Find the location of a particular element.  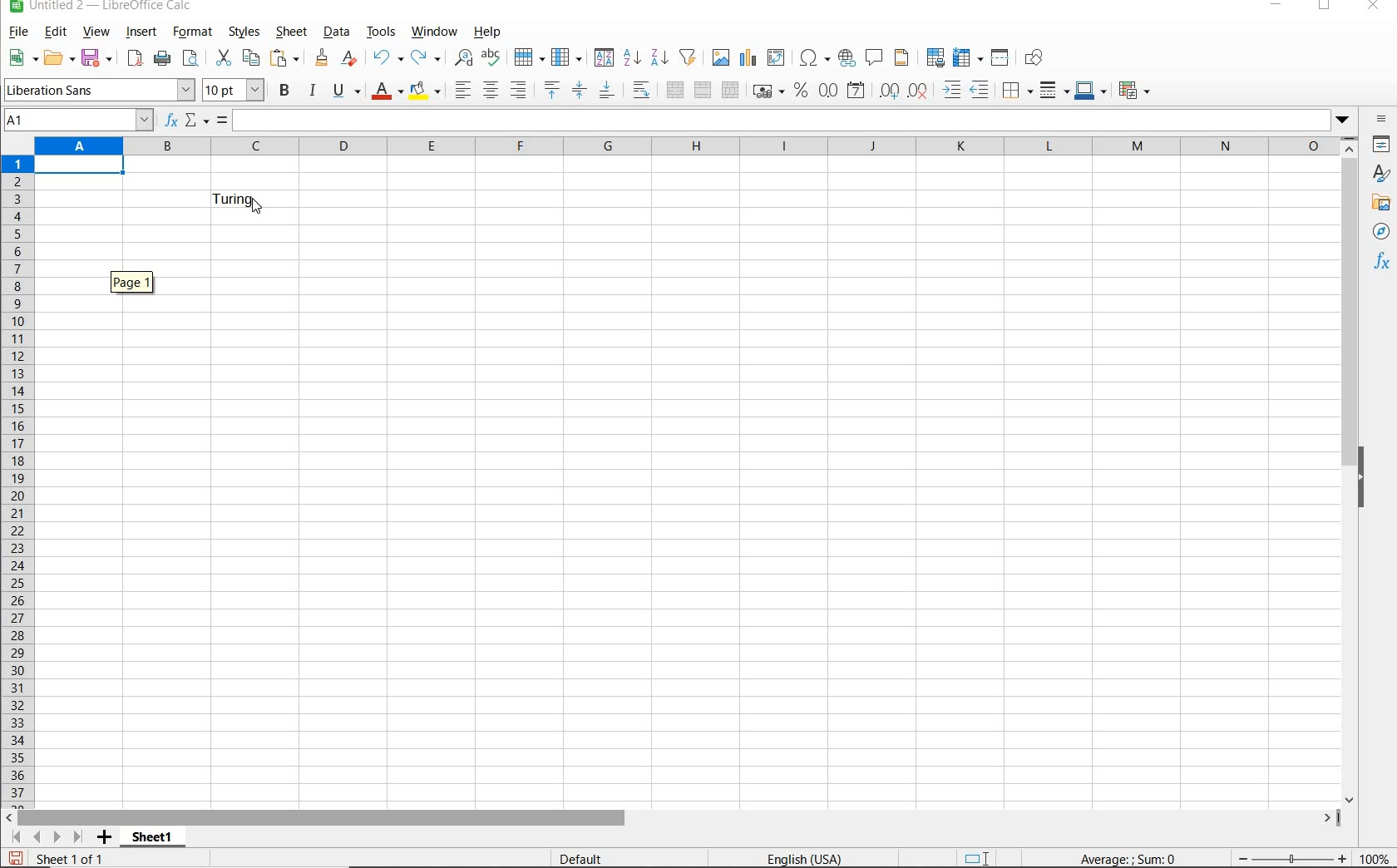

EXPORT DIRECTLY AS PDF is located at coordinates (135, 58).